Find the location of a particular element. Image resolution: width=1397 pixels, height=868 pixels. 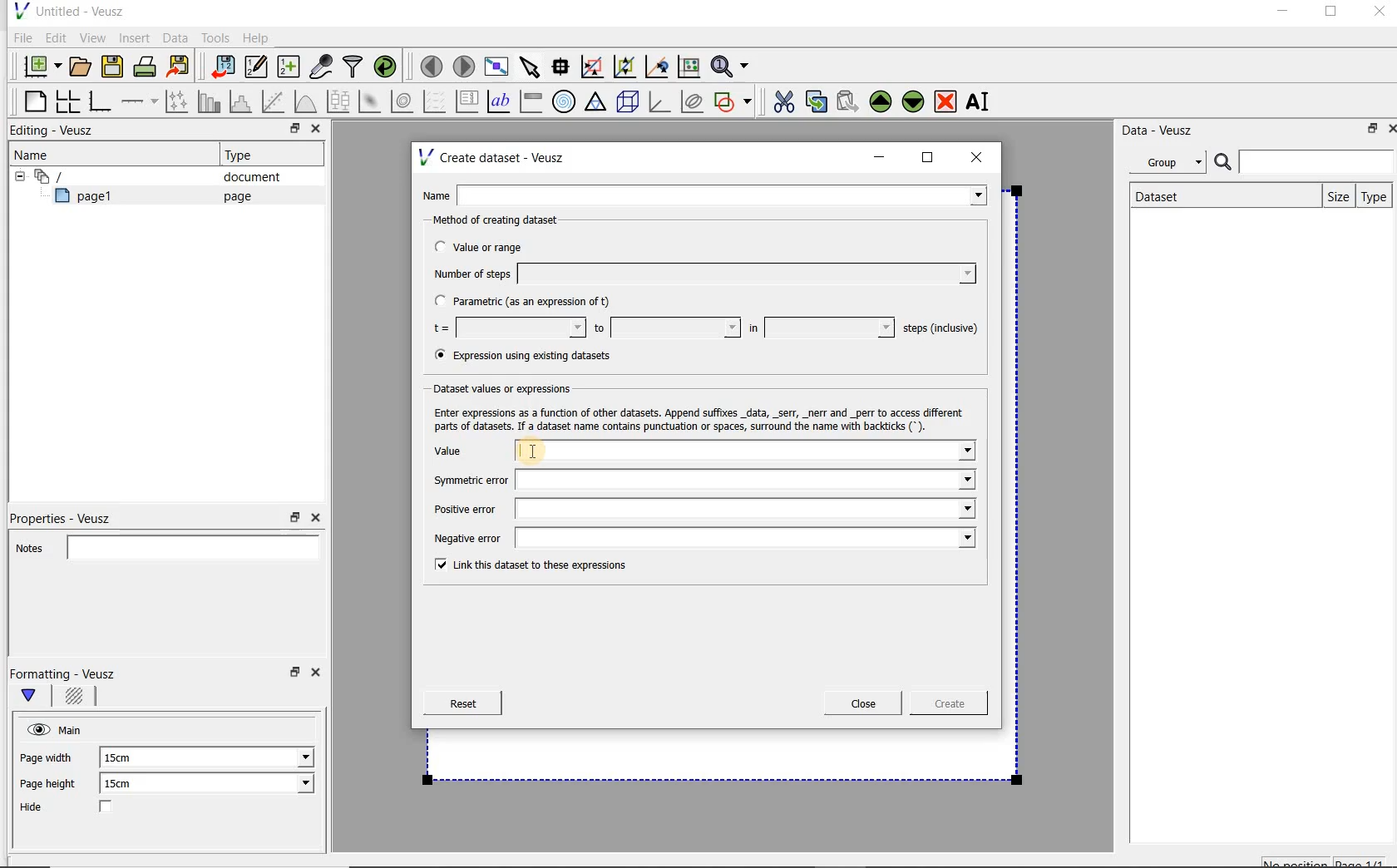

polar graph is located at coordinates (565, 101).